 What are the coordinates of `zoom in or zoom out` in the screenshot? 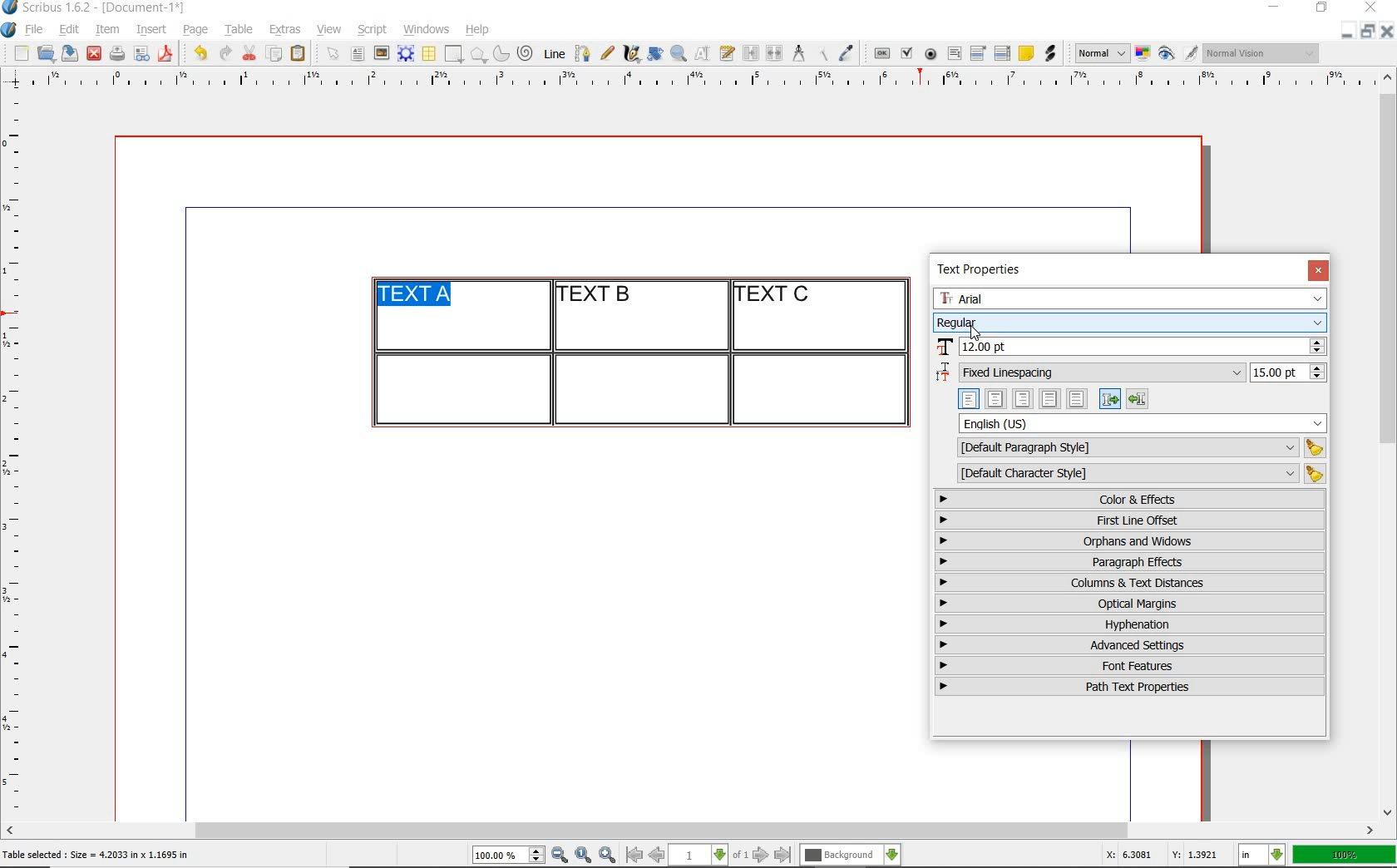 It's located at (679, 53).